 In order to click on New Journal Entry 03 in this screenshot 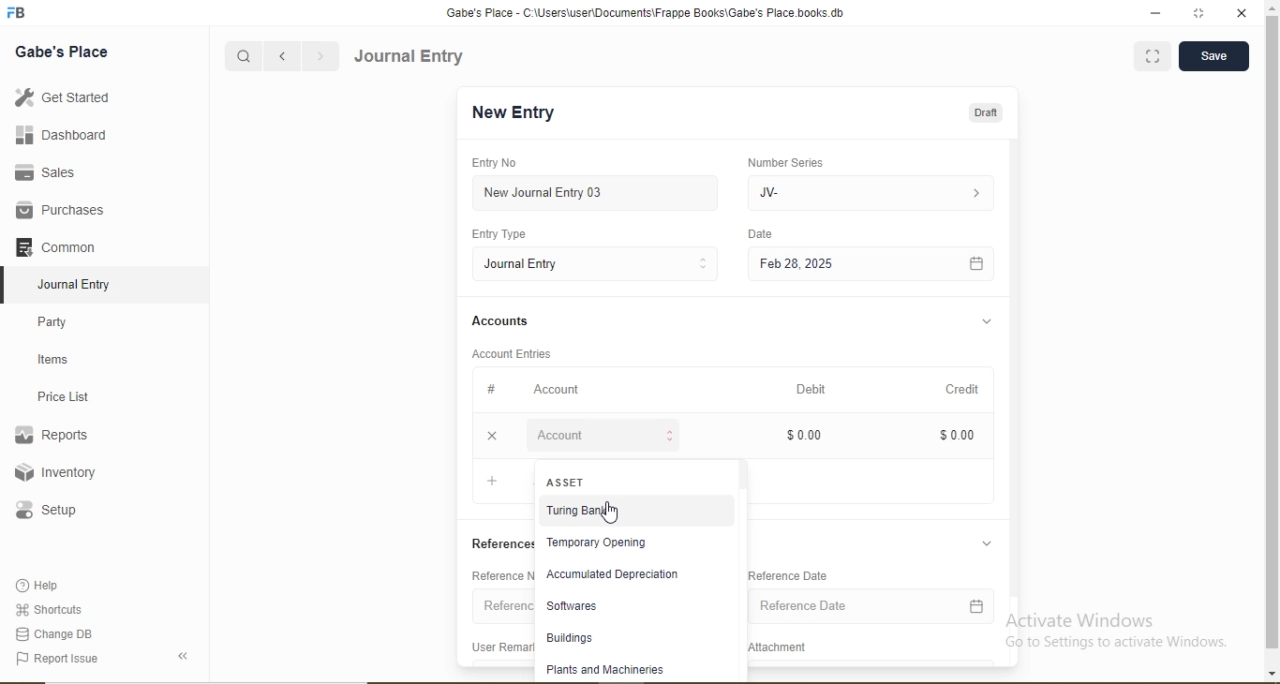, I will do `click(544, 193)`.